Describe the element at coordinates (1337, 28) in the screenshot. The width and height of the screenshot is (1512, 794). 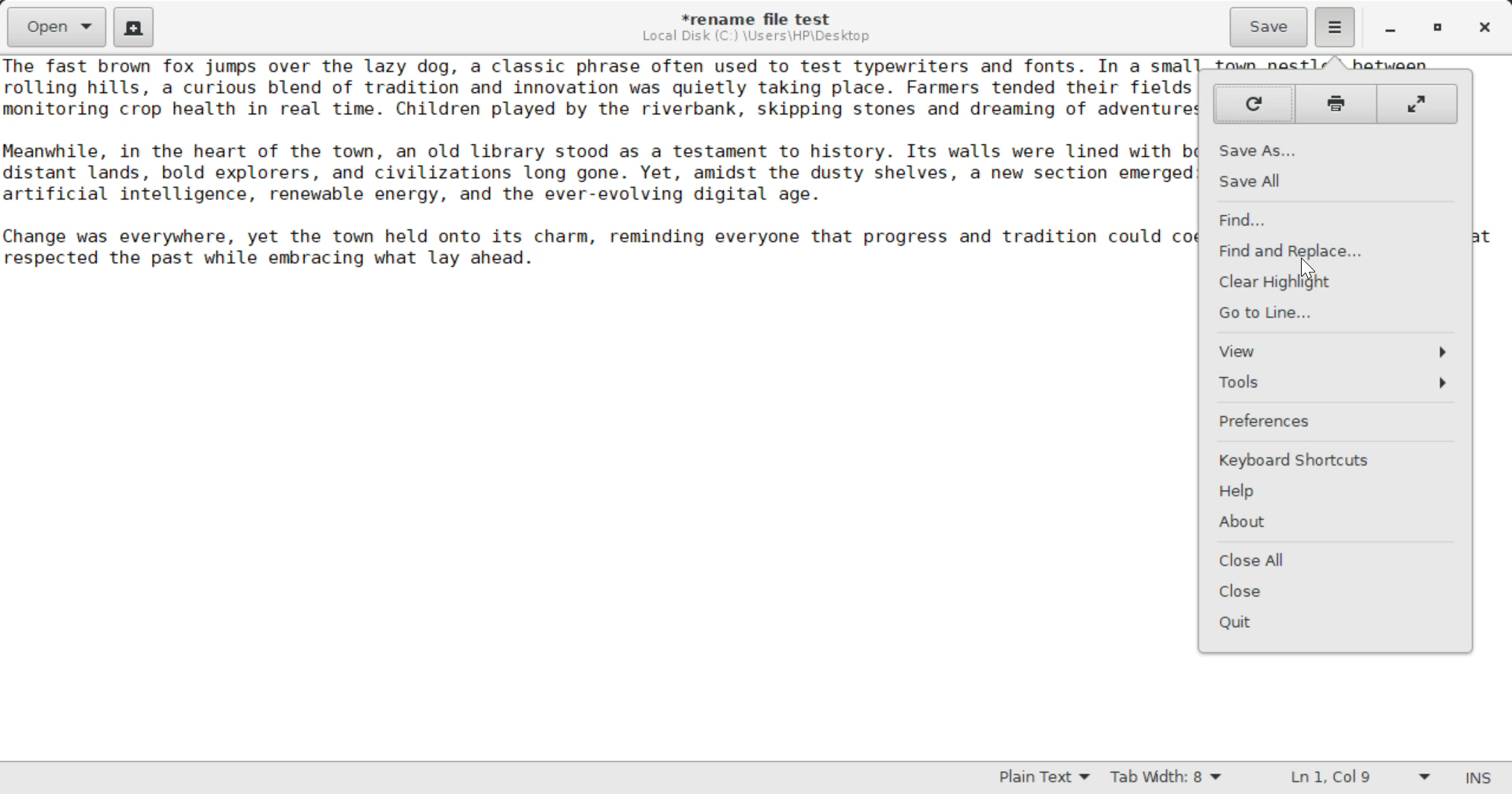
I see `More Options Menu Open` at that location.